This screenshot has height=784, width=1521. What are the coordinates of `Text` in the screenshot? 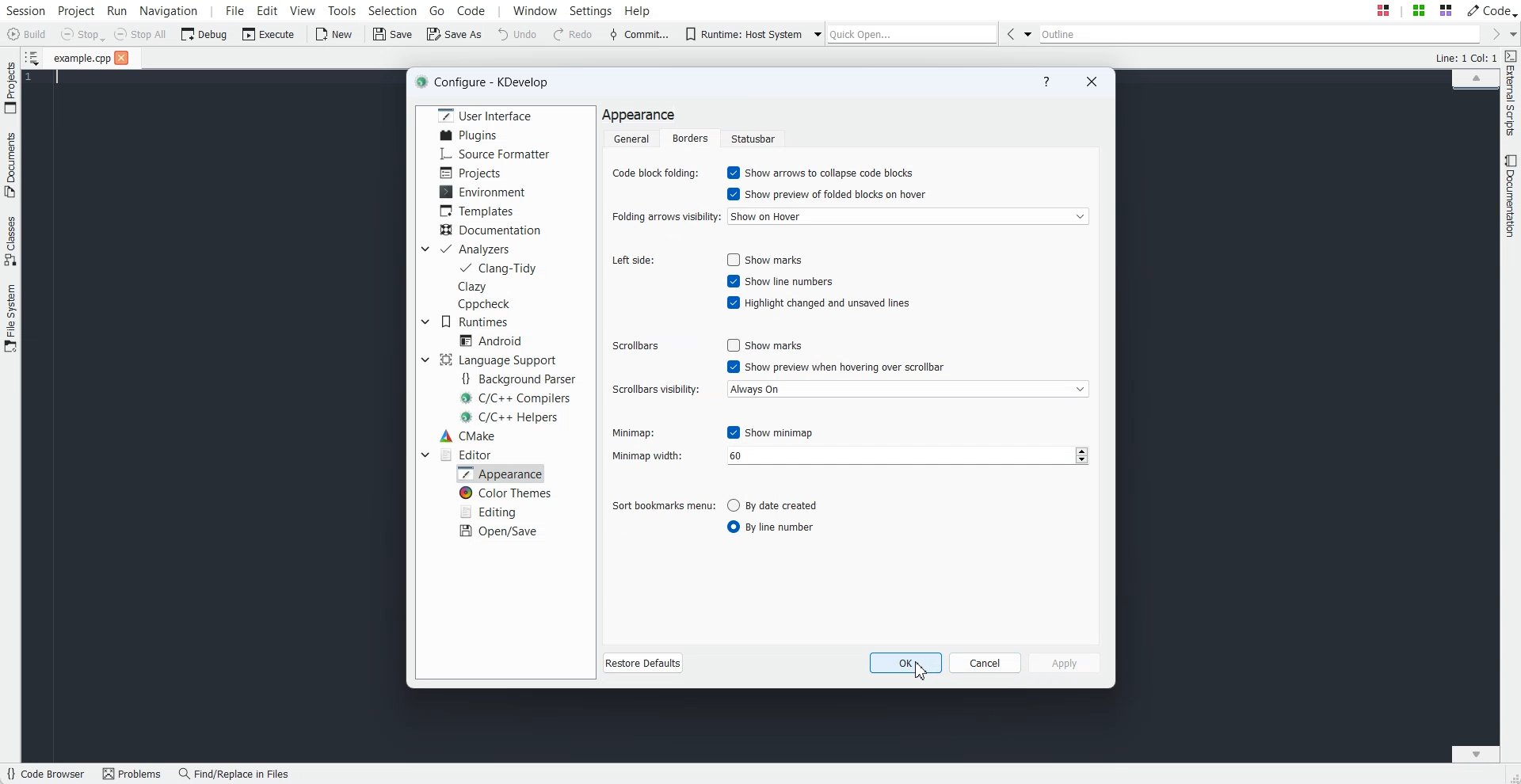 It's located at (1466, 57).